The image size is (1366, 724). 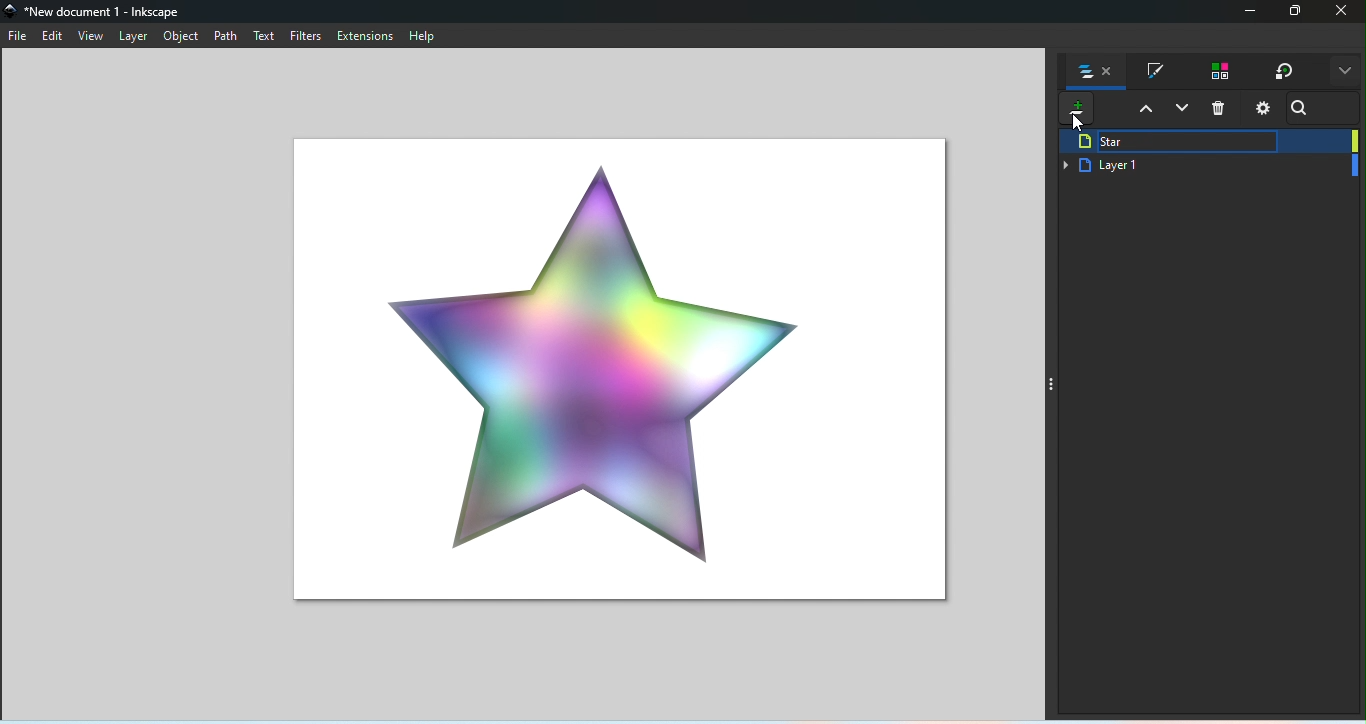 What do you see at coordinates (1264, 113) in the screenshot?
I see `layers and objects dialogs settings` at bounding box center [1264, 113].